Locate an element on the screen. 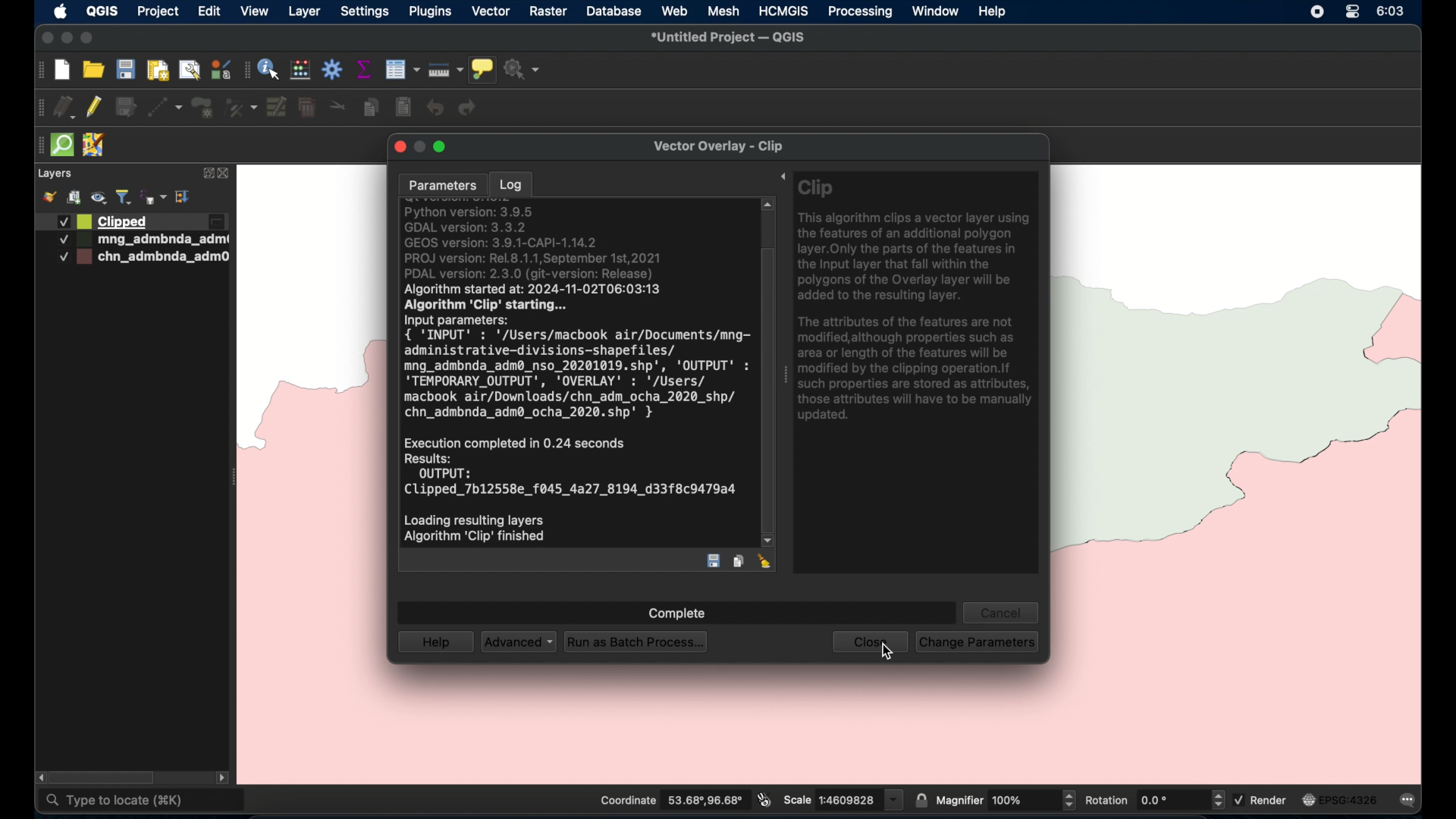 This screenshot has height=819, width=1456. cut is located at coordinates (338, 105).